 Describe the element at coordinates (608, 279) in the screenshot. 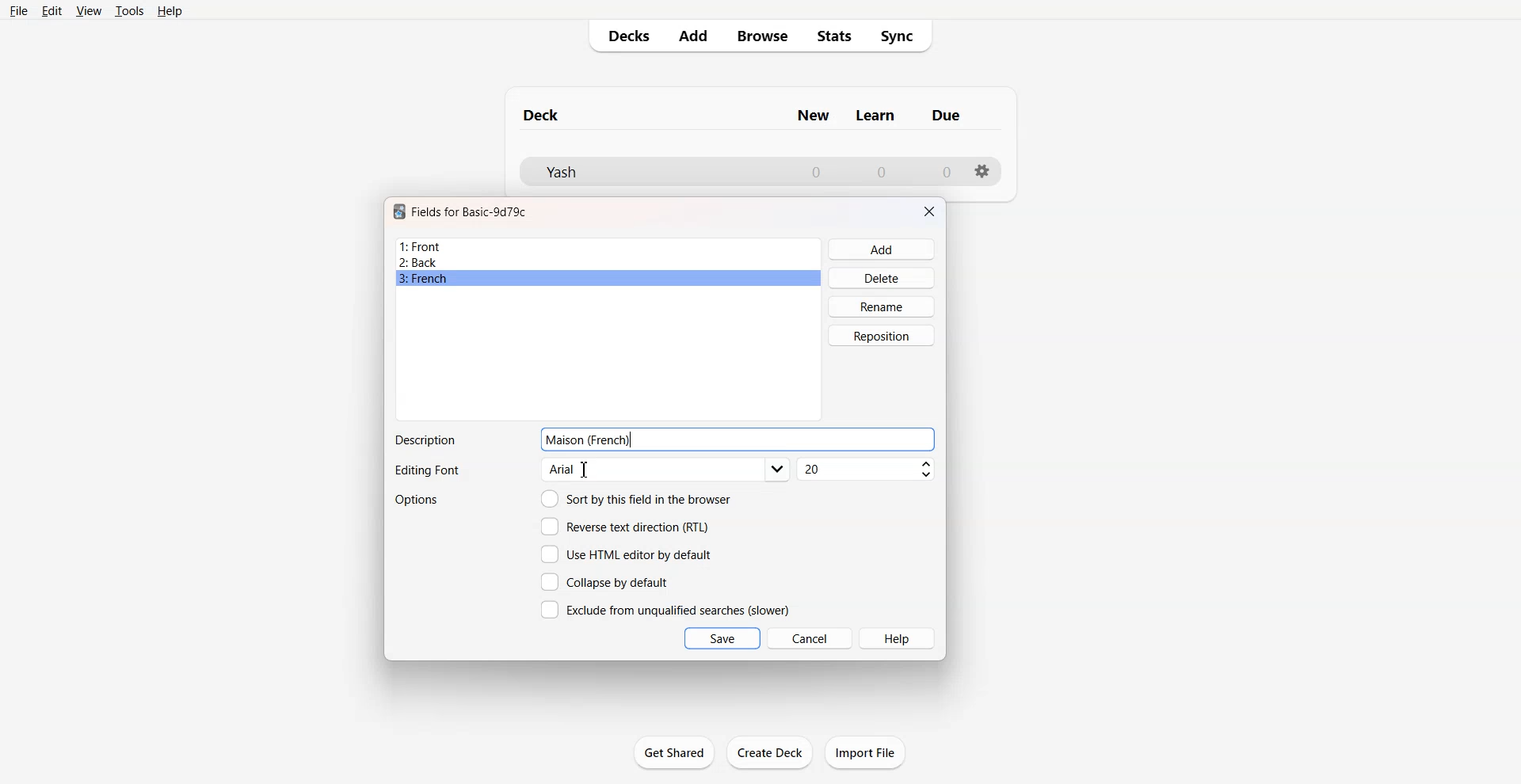

I see `French` at that location.